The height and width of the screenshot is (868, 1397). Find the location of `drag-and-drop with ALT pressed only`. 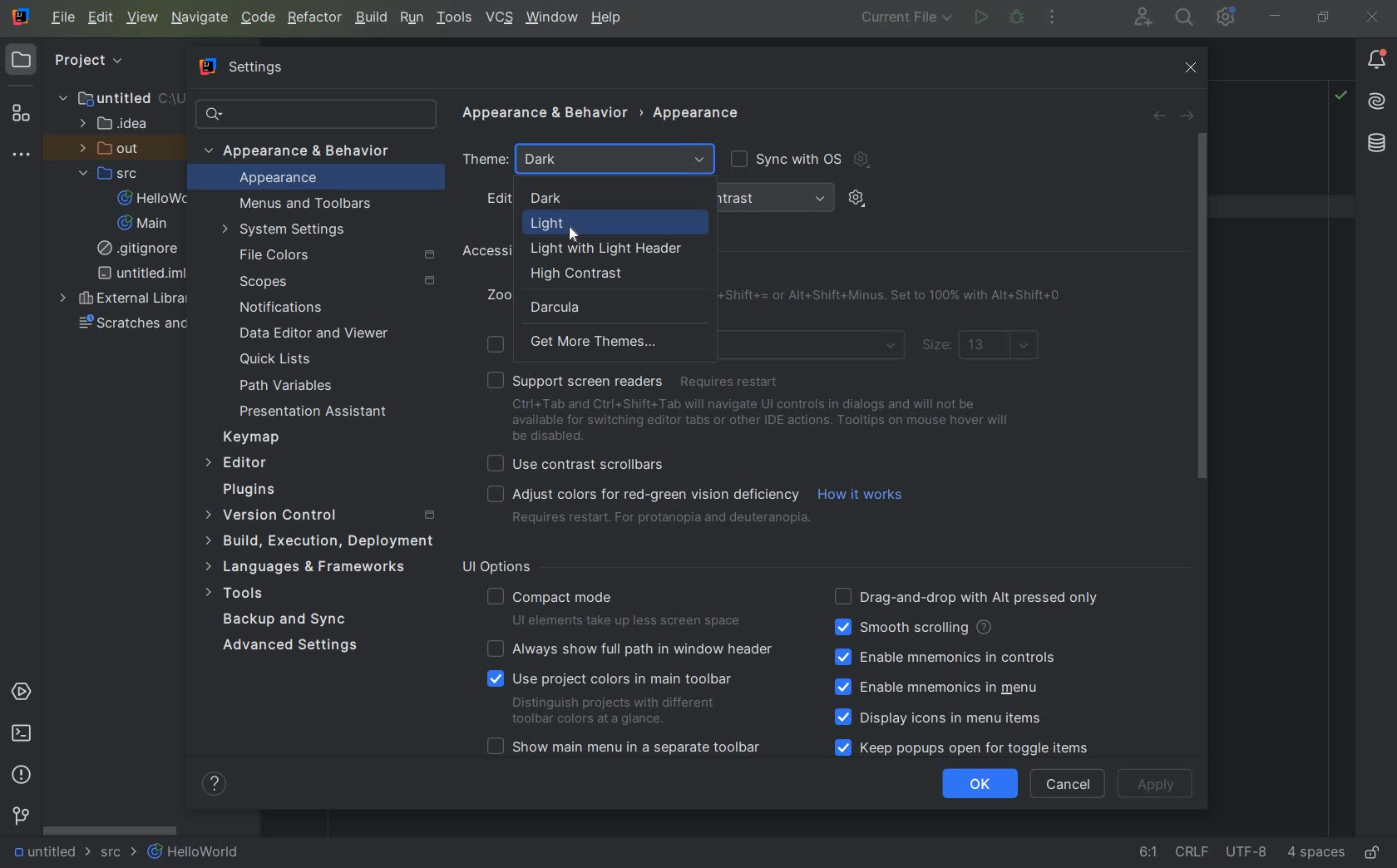

drag-and-drop with ALT pressed only is located at coordinates (967, 595).